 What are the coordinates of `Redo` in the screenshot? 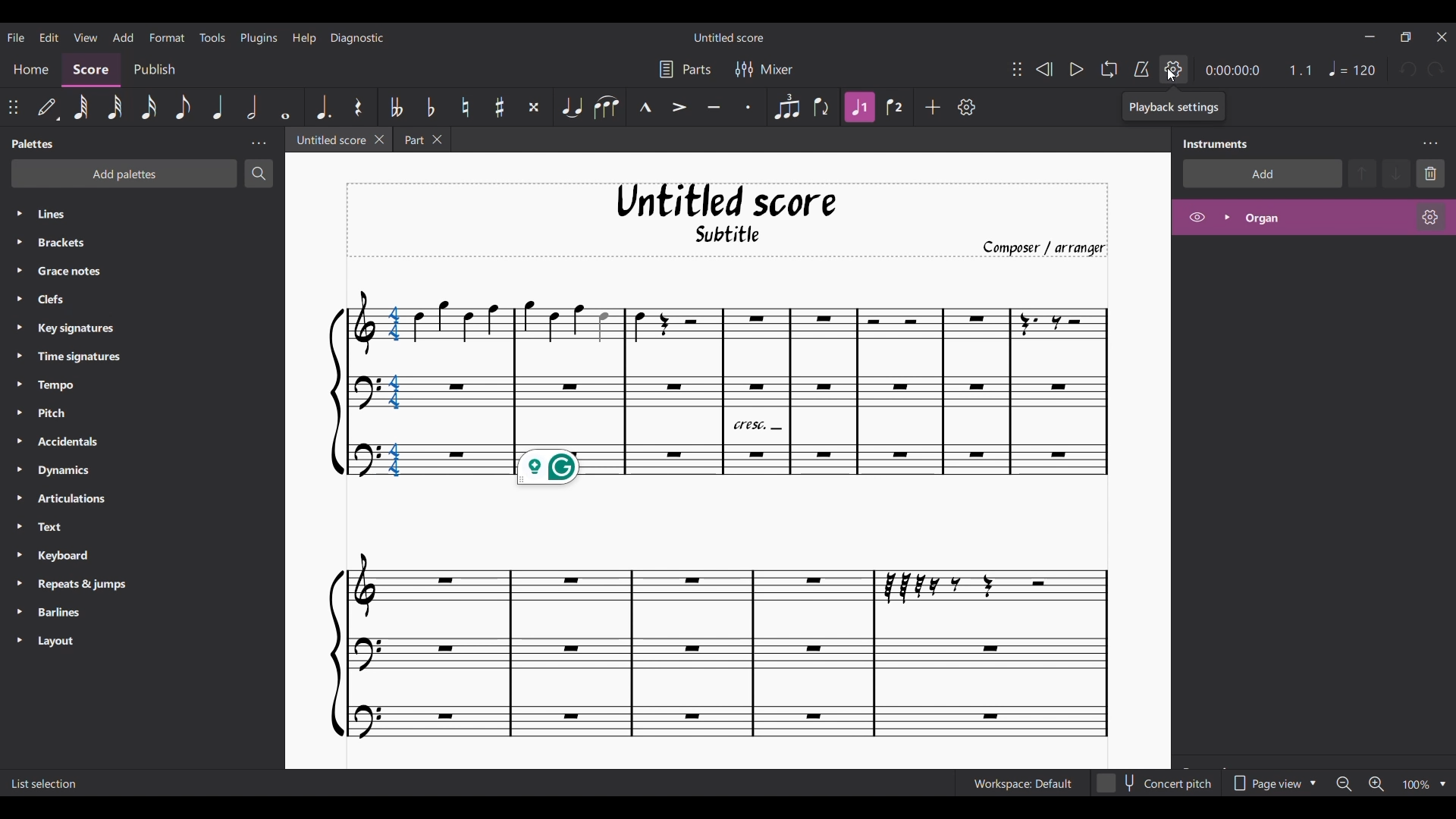 It's located at (1436, 69).